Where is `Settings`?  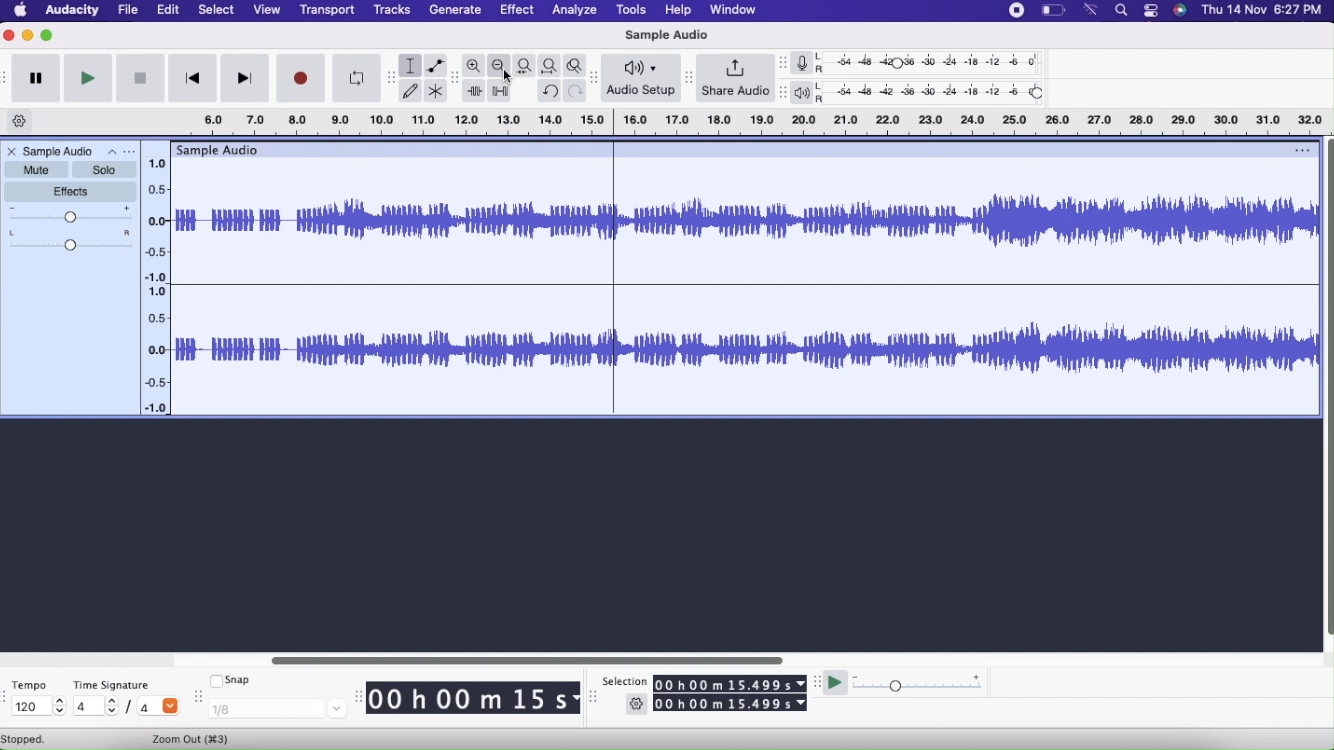
Settings is located at coordinates (636, 702).